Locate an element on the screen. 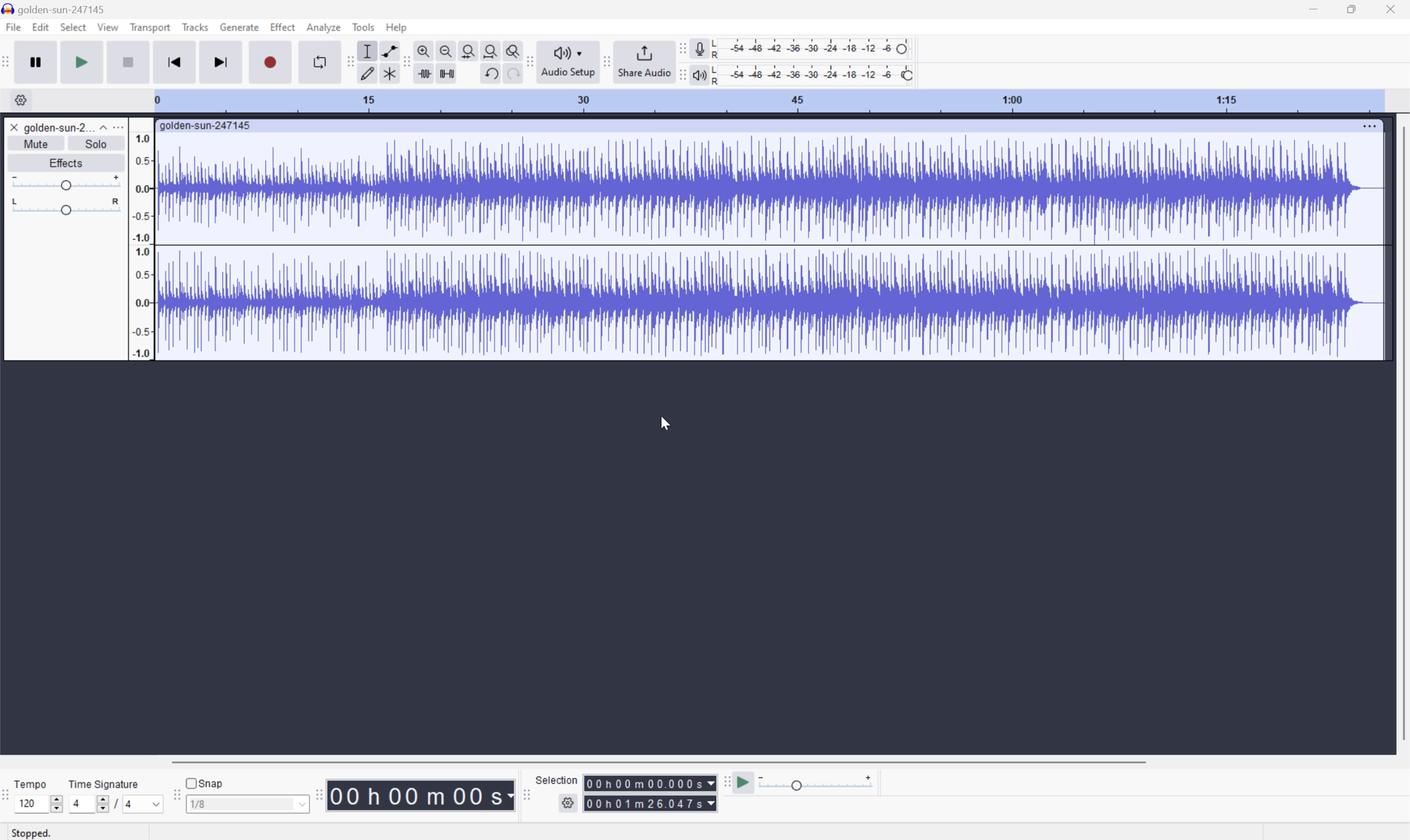 This screenshot has width=1410, height=840. Slider is located at coordinates (57, 804).